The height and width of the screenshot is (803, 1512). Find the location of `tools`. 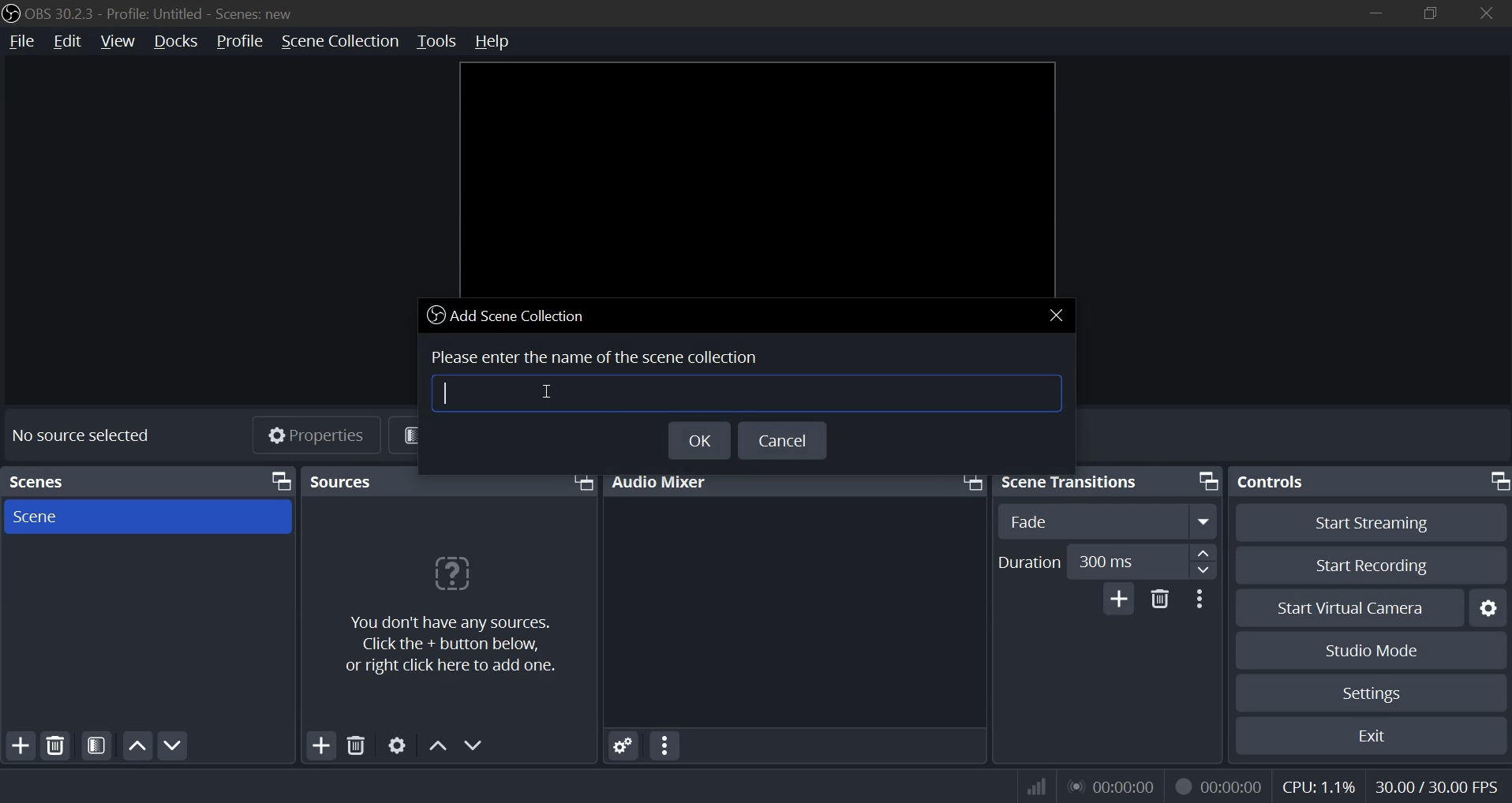

tools is located at coordinates (436, 42).